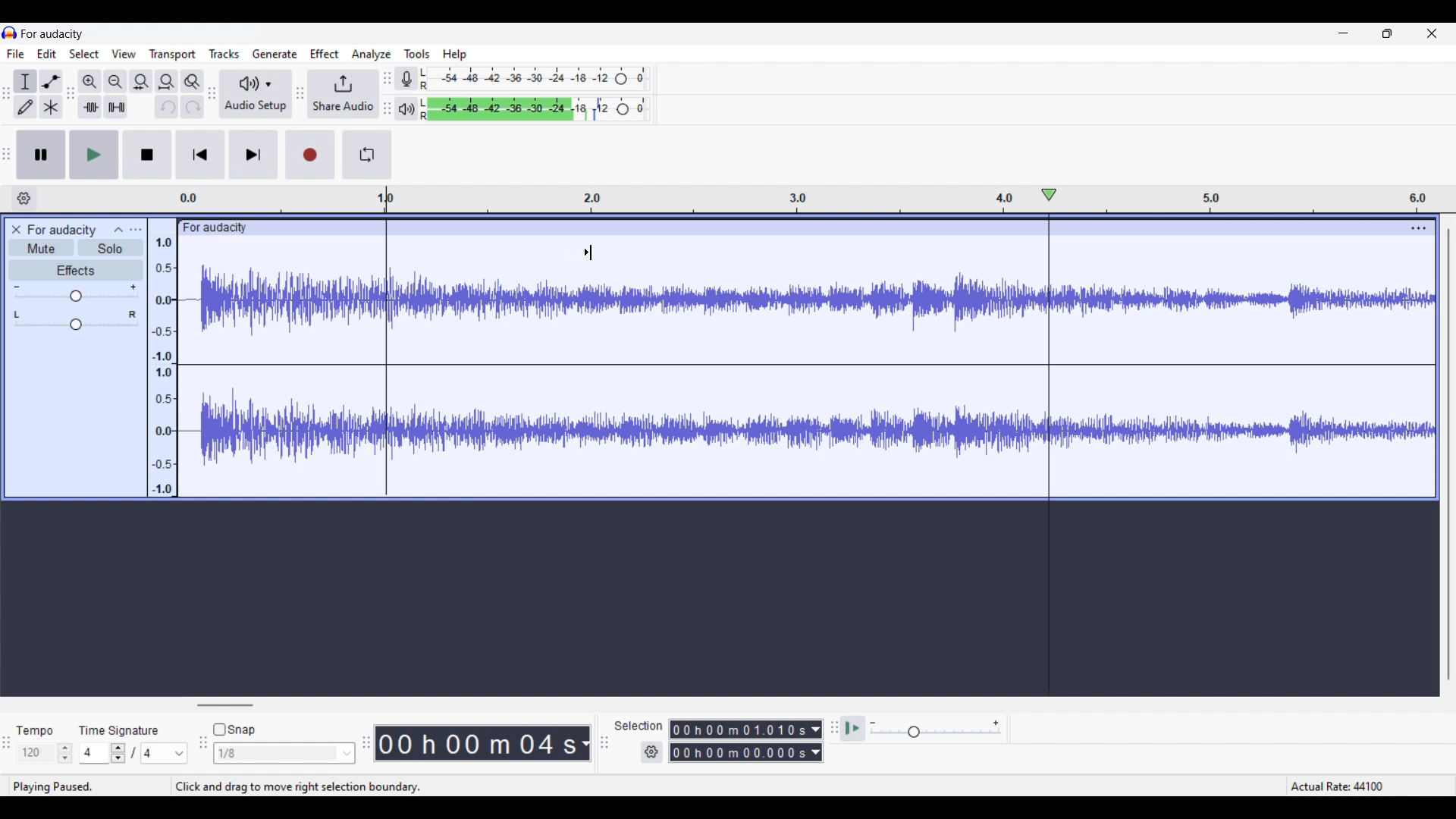 Image resolution: width=1456 pixels, height=819 pixels. I want to click on tempo, so click(35, 731).